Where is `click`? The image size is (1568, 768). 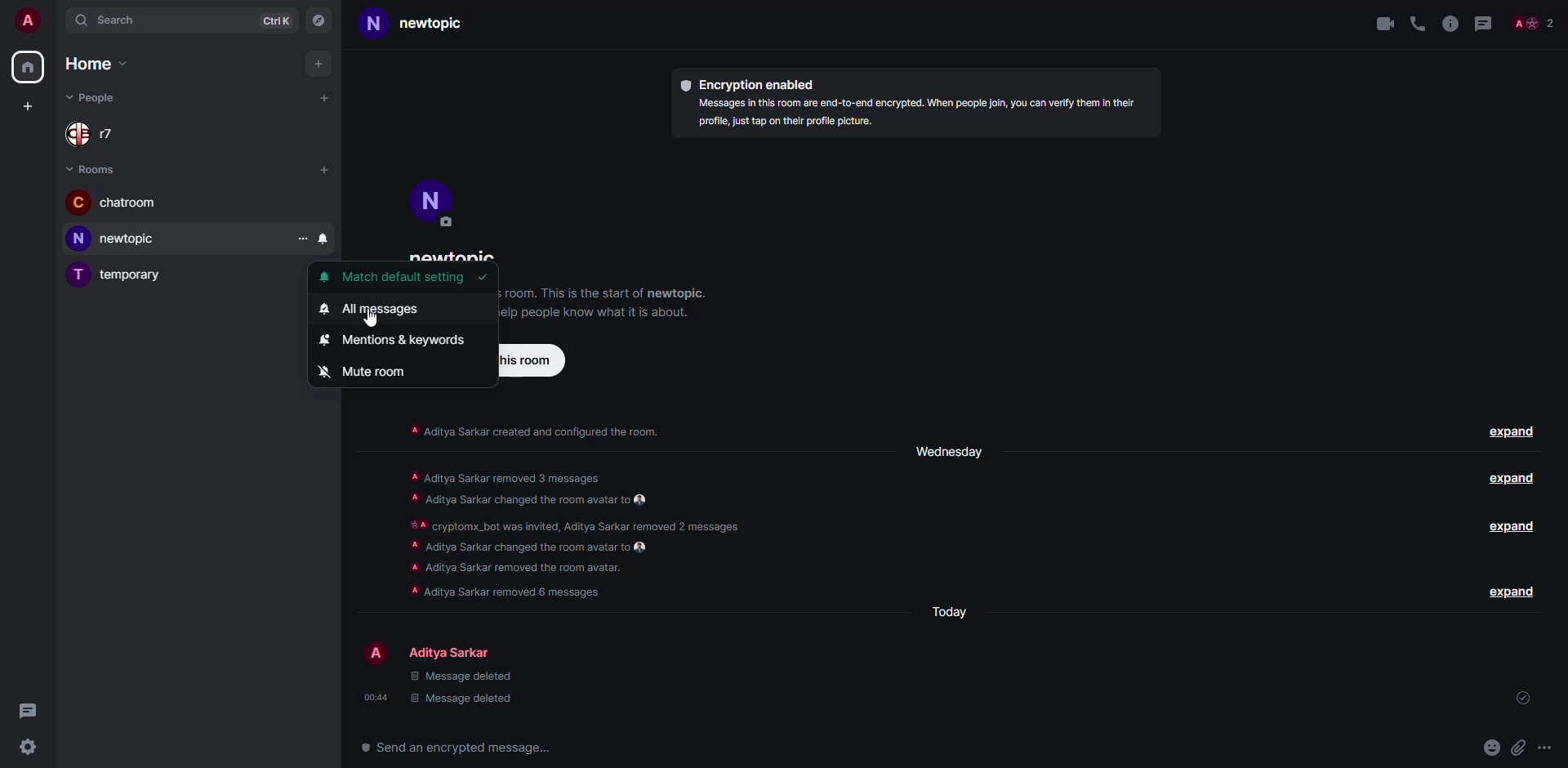
click is located at coordinates (323, 237).